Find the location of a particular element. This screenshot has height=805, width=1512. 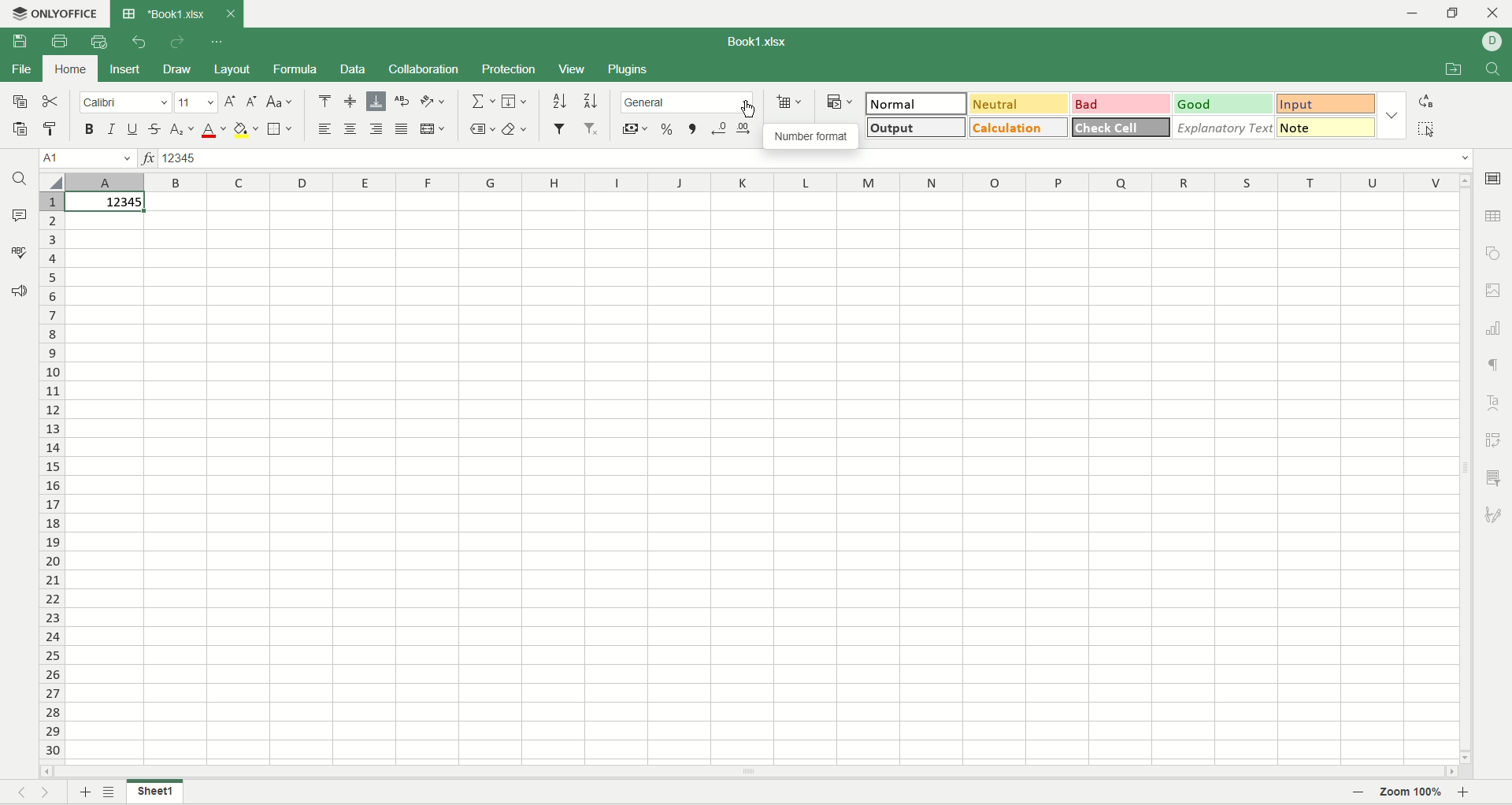

horizontal scroll bar is located at coordinates (747, 770).